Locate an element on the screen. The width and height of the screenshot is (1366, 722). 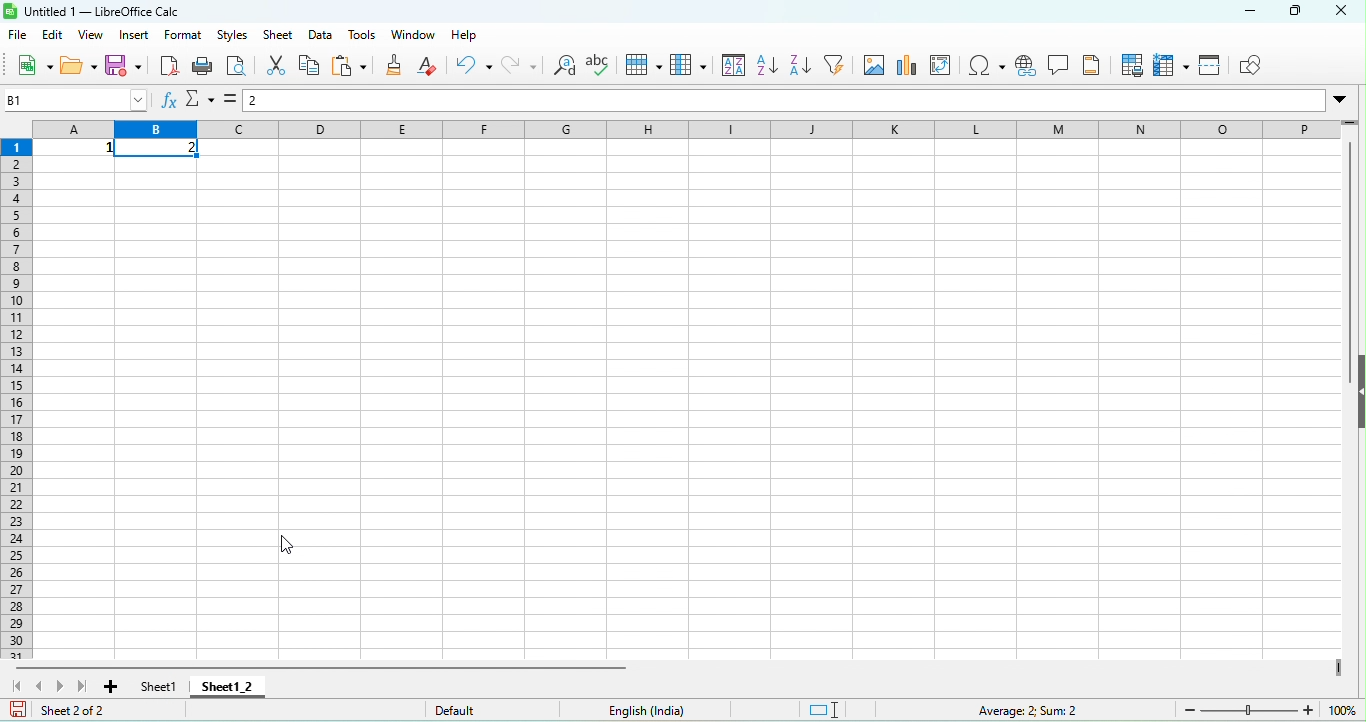
height is located at coordinates (1356, 392).